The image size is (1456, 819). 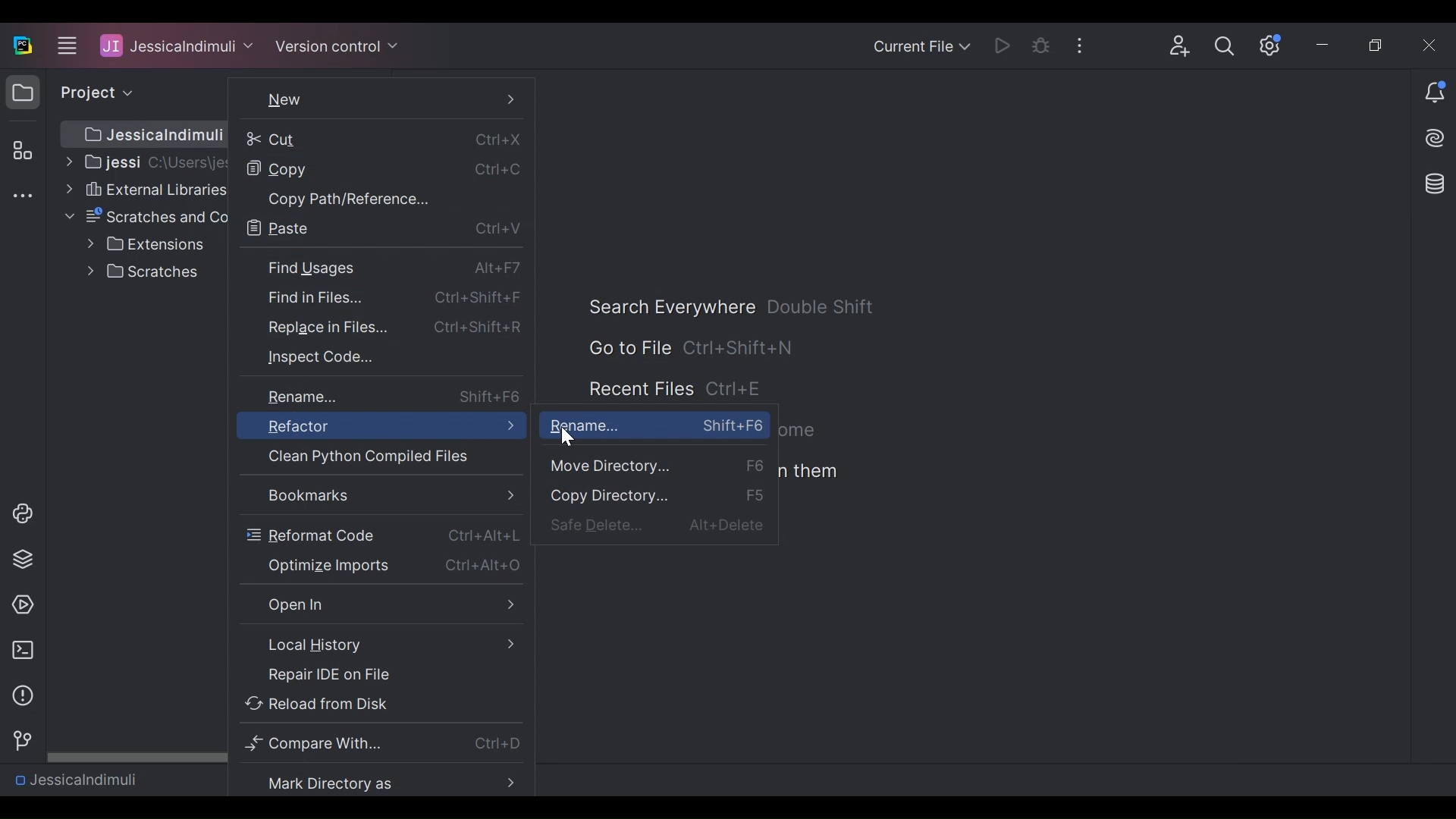 I want to click on shortcut, so click(x=737, y=391).